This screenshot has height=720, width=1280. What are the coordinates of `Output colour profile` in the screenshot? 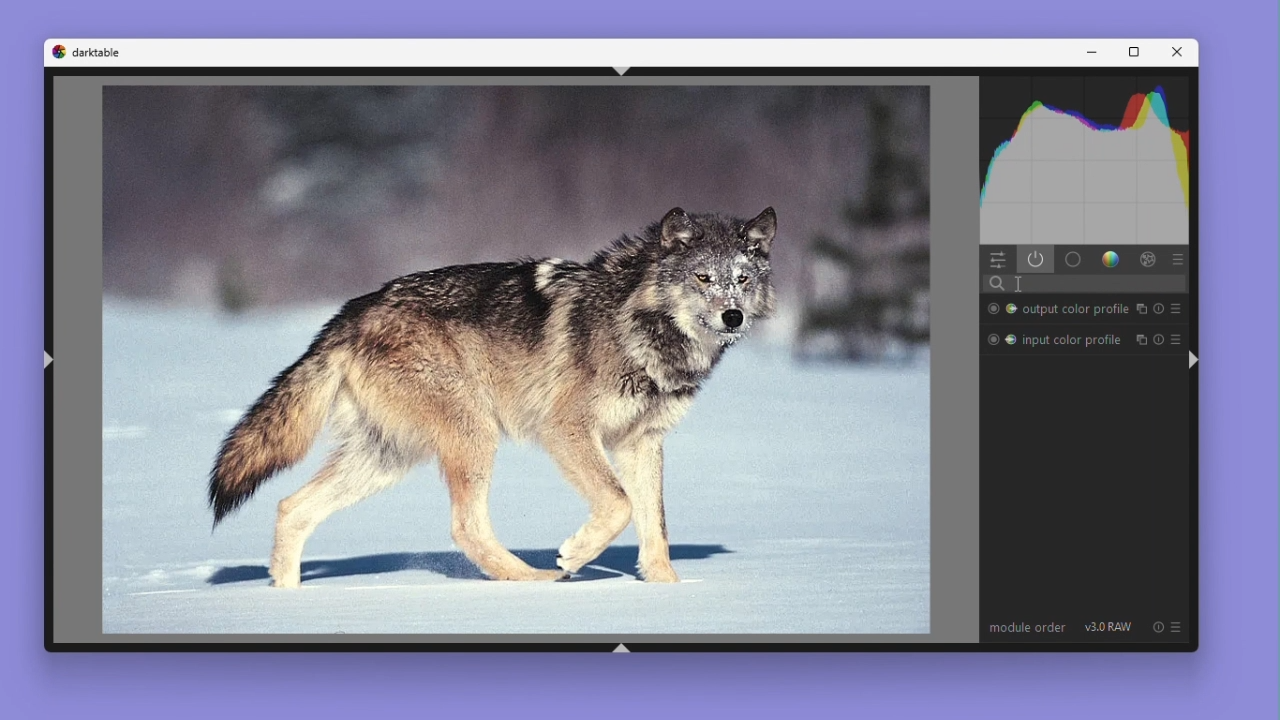 It's located at (1053, 309).